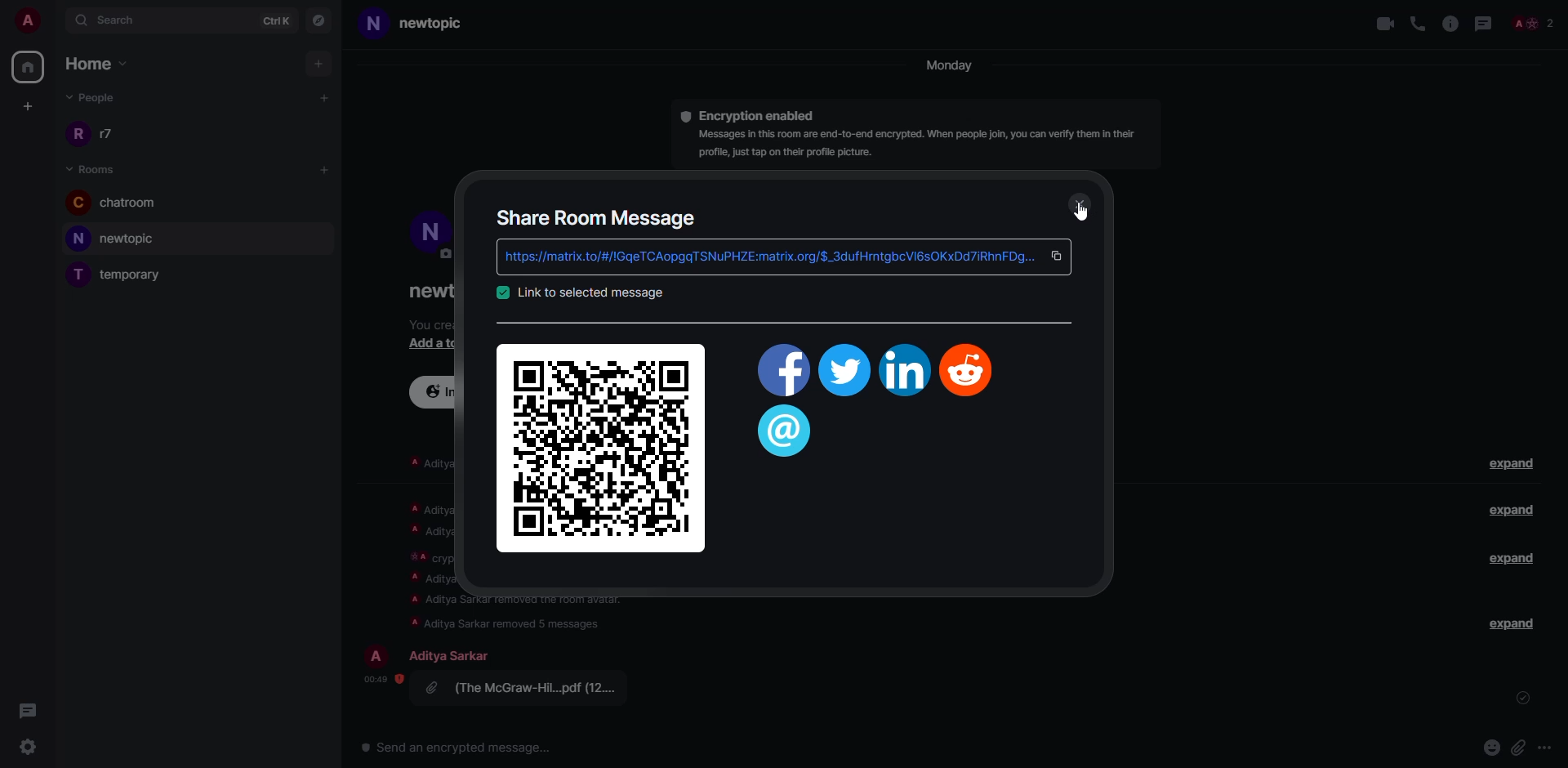 The width and height of the screenshot is (1568, 768). I want to click on expand, so click(1516, 465).